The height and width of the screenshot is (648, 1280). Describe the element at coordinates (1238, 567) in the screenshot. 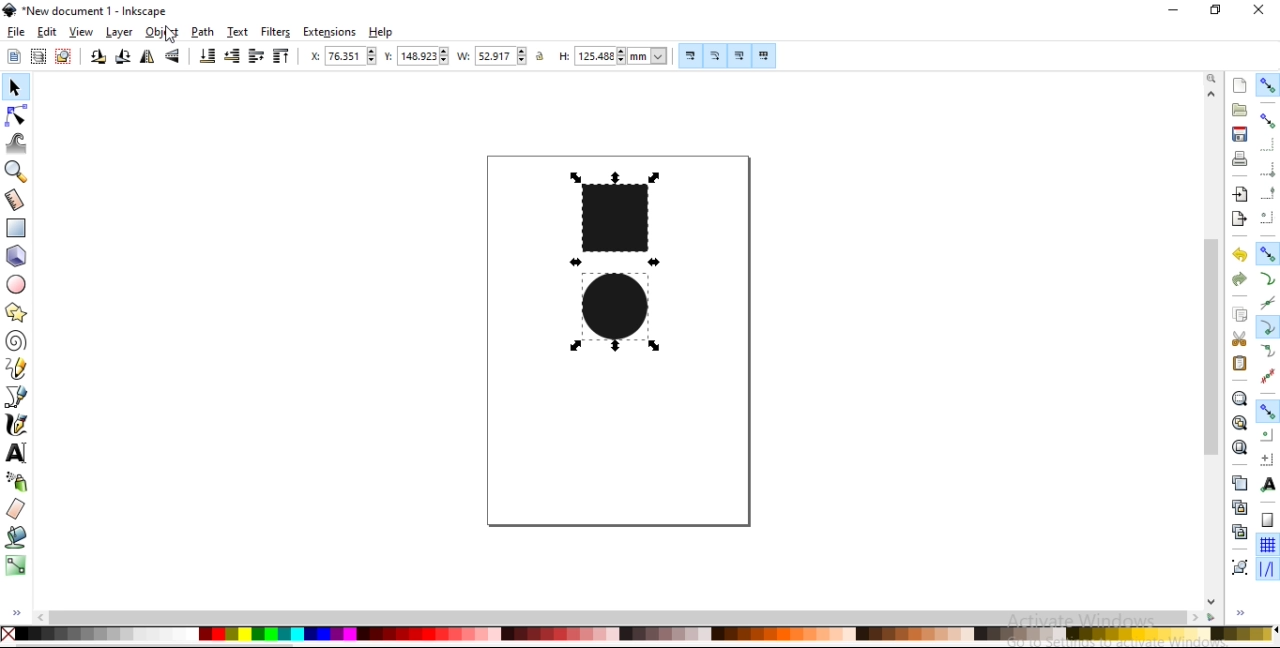

I see `group objects` at that location.